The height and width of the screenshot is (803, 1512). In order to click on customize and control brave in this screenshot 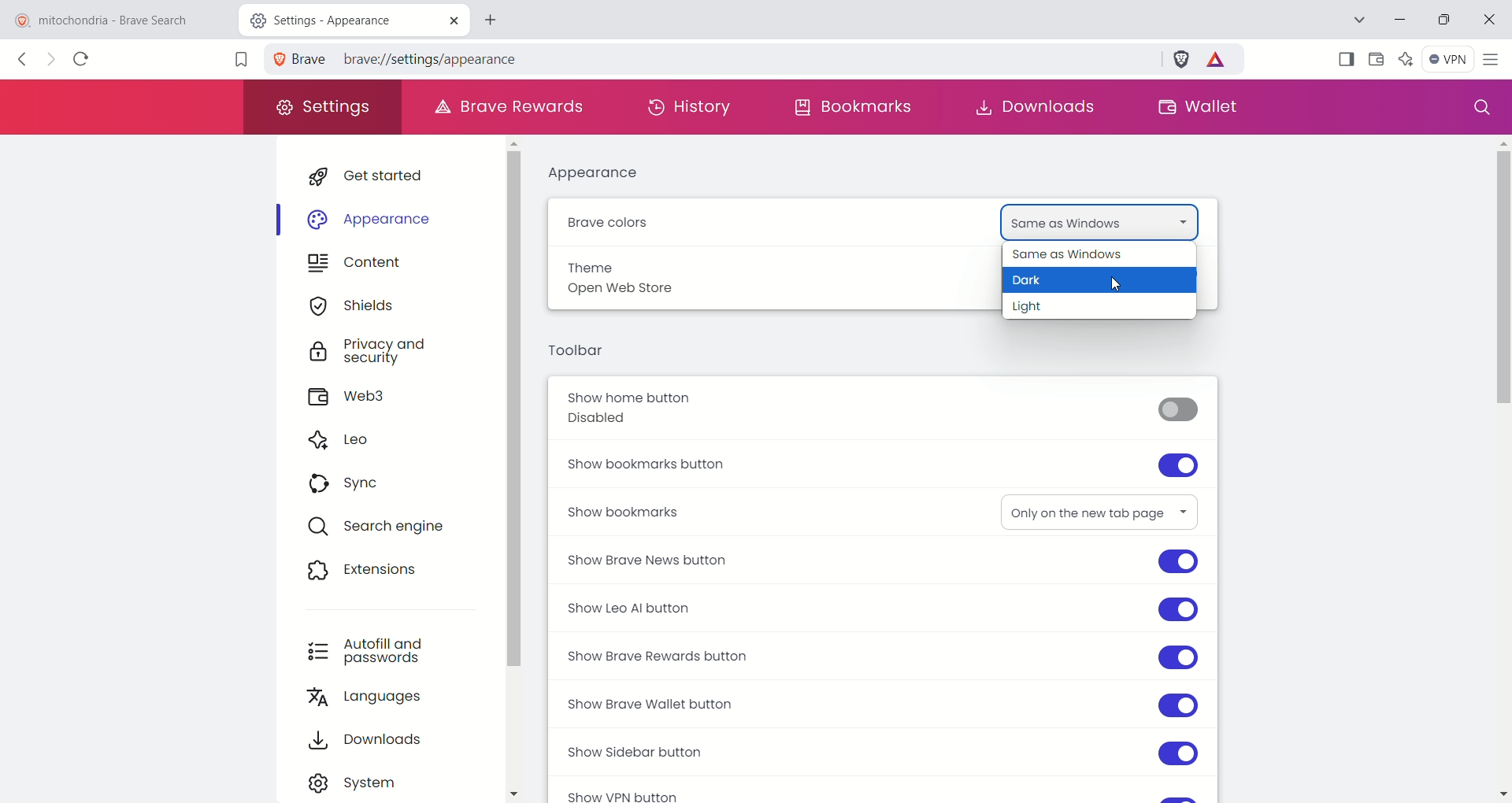, I will do `click(1494, 60)`.